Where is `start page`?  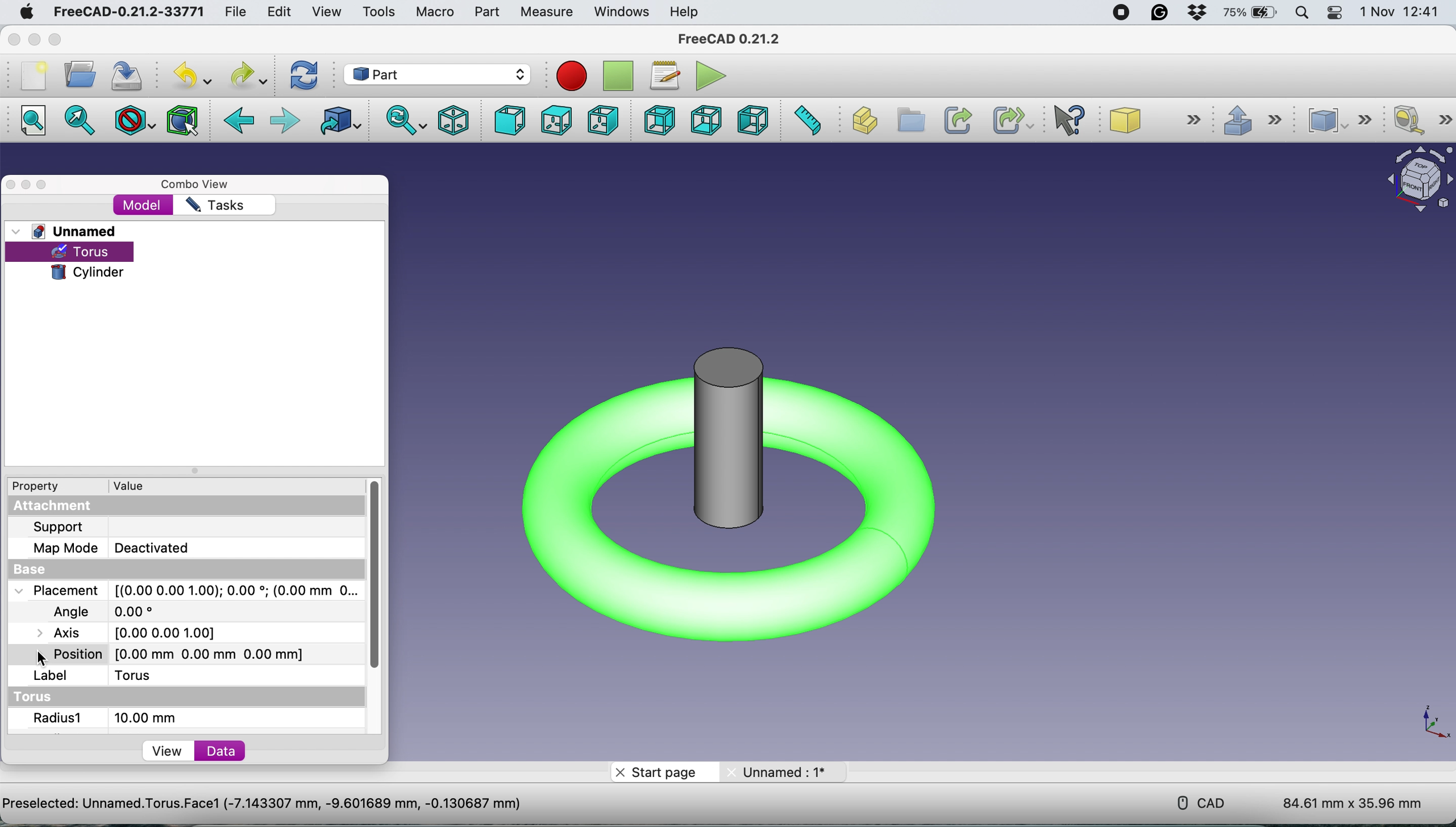 start page is located at coordinates (660, 771).